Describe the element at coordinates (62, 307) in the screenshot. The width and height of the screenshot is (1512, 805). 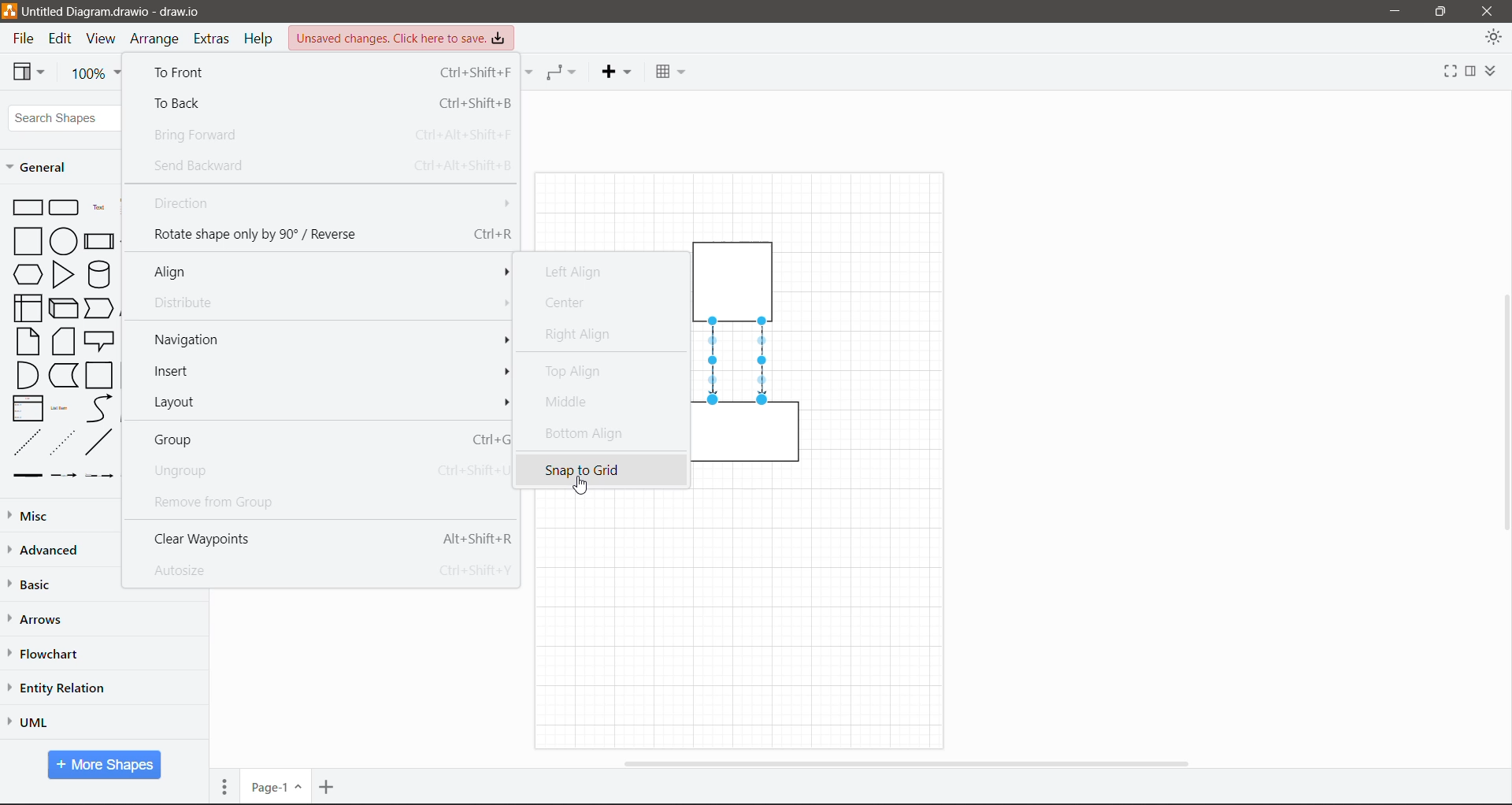
I see `Cube` at that location.